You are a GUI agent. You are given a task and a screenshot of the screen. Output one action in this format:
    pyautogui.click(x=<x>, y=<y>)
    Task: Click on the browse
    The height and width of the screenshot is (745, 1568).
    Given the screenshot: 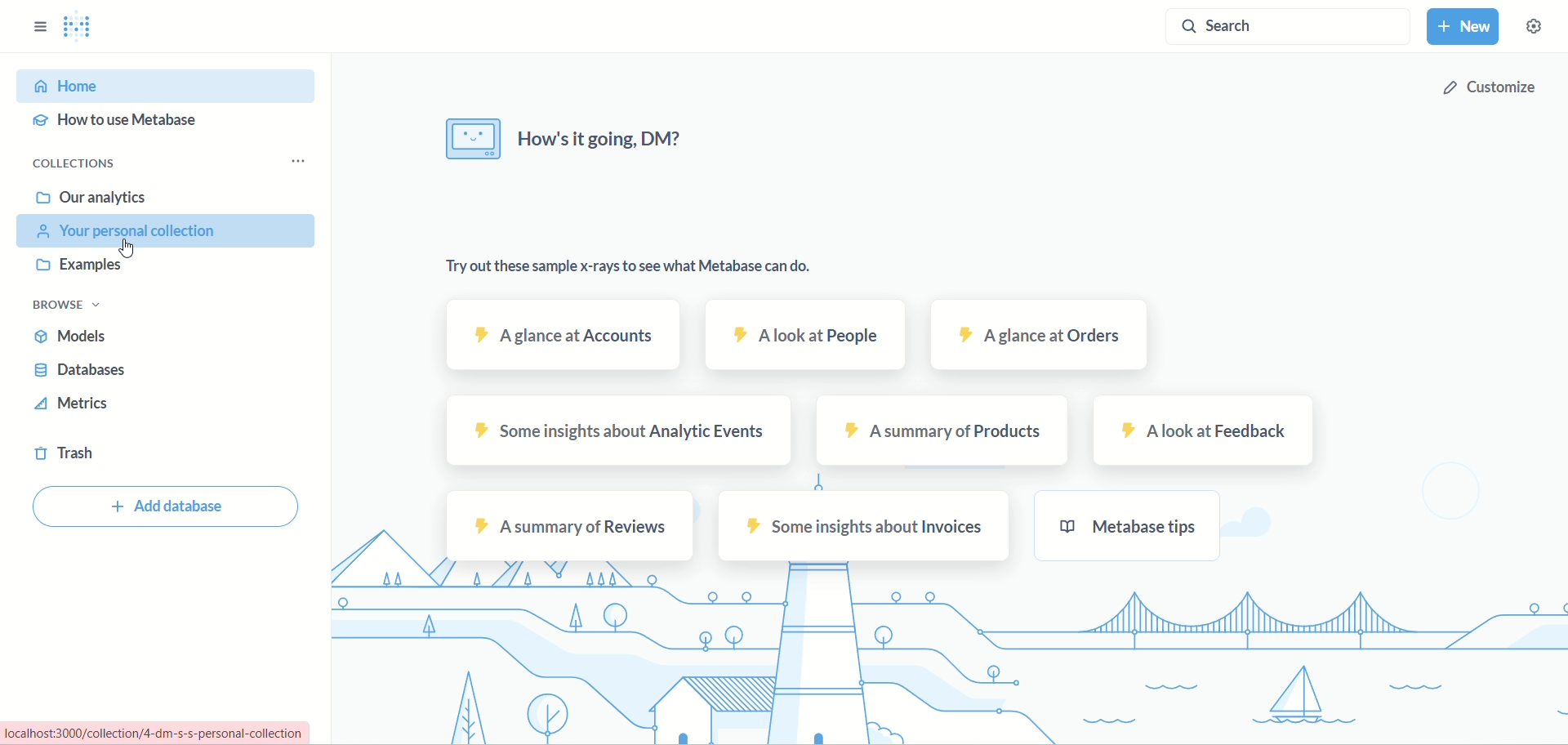 What is the action you would take?
    pyautogui.click(x=74, y=306)
    